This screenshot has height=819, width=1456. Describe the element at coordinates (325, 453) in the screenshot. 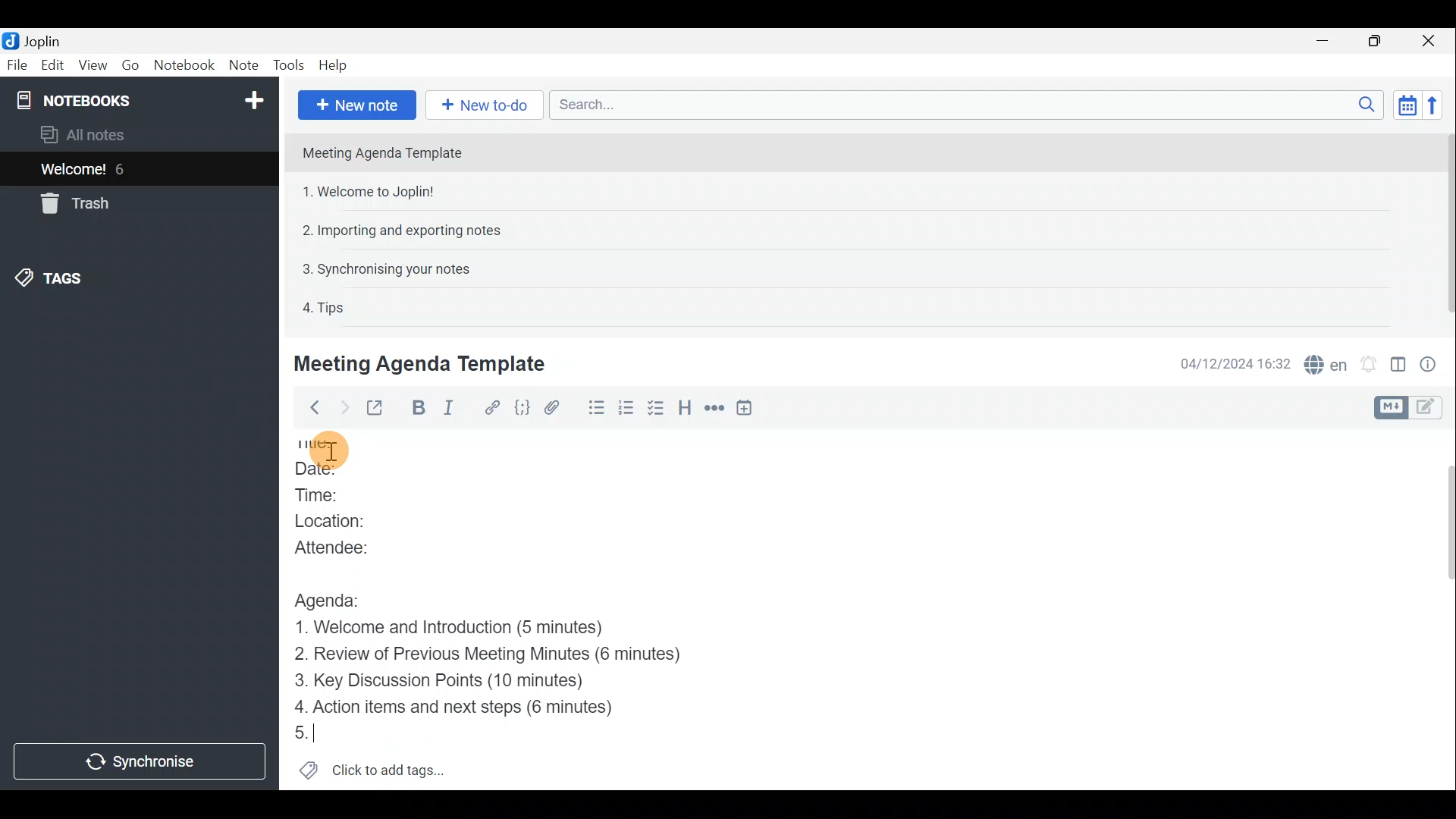

I see `` at that location.